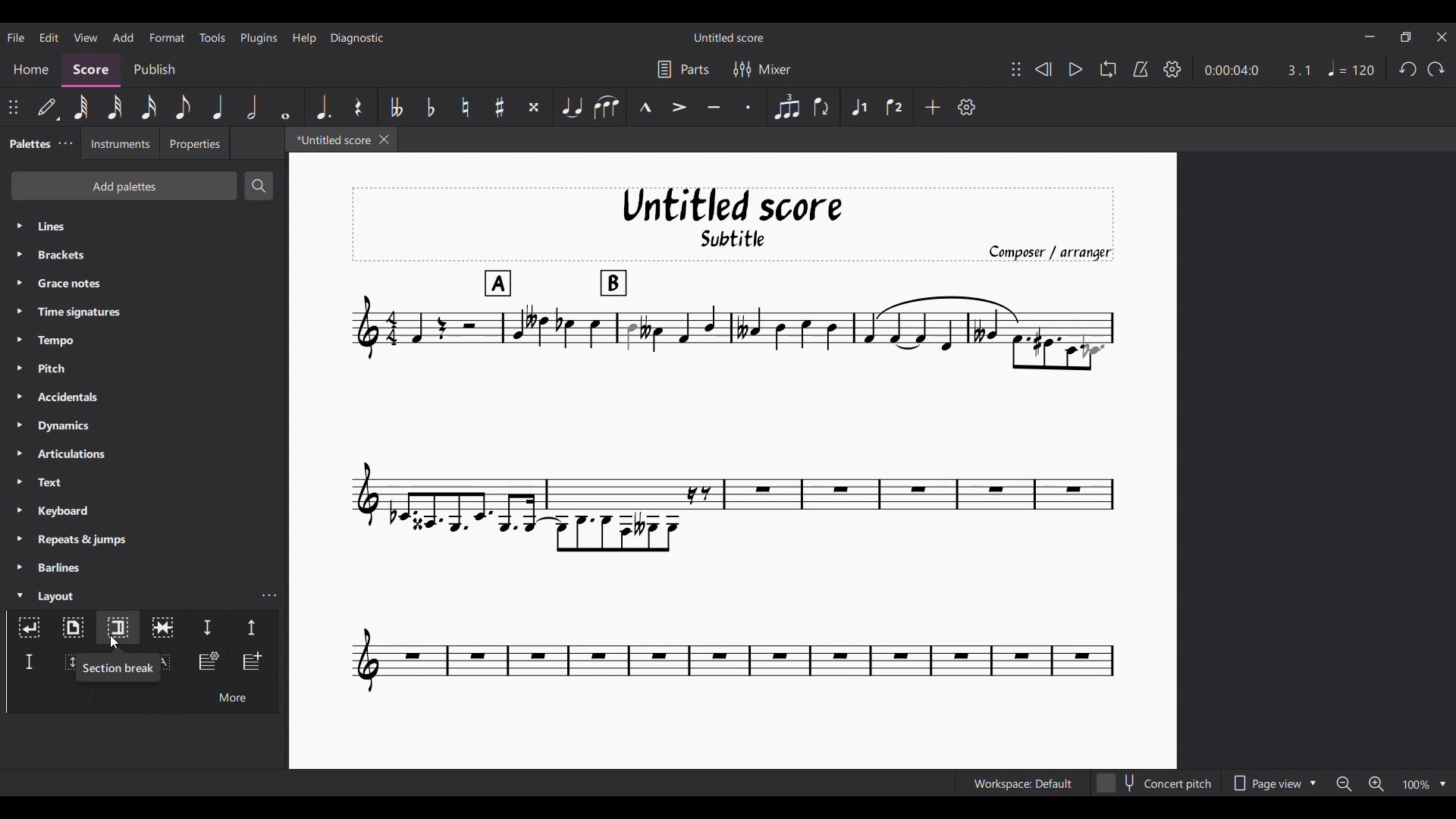  What do you see at coordinates (822, 106) in the screenshot?
I see `Flip direction` at bounding box center [822, 106].